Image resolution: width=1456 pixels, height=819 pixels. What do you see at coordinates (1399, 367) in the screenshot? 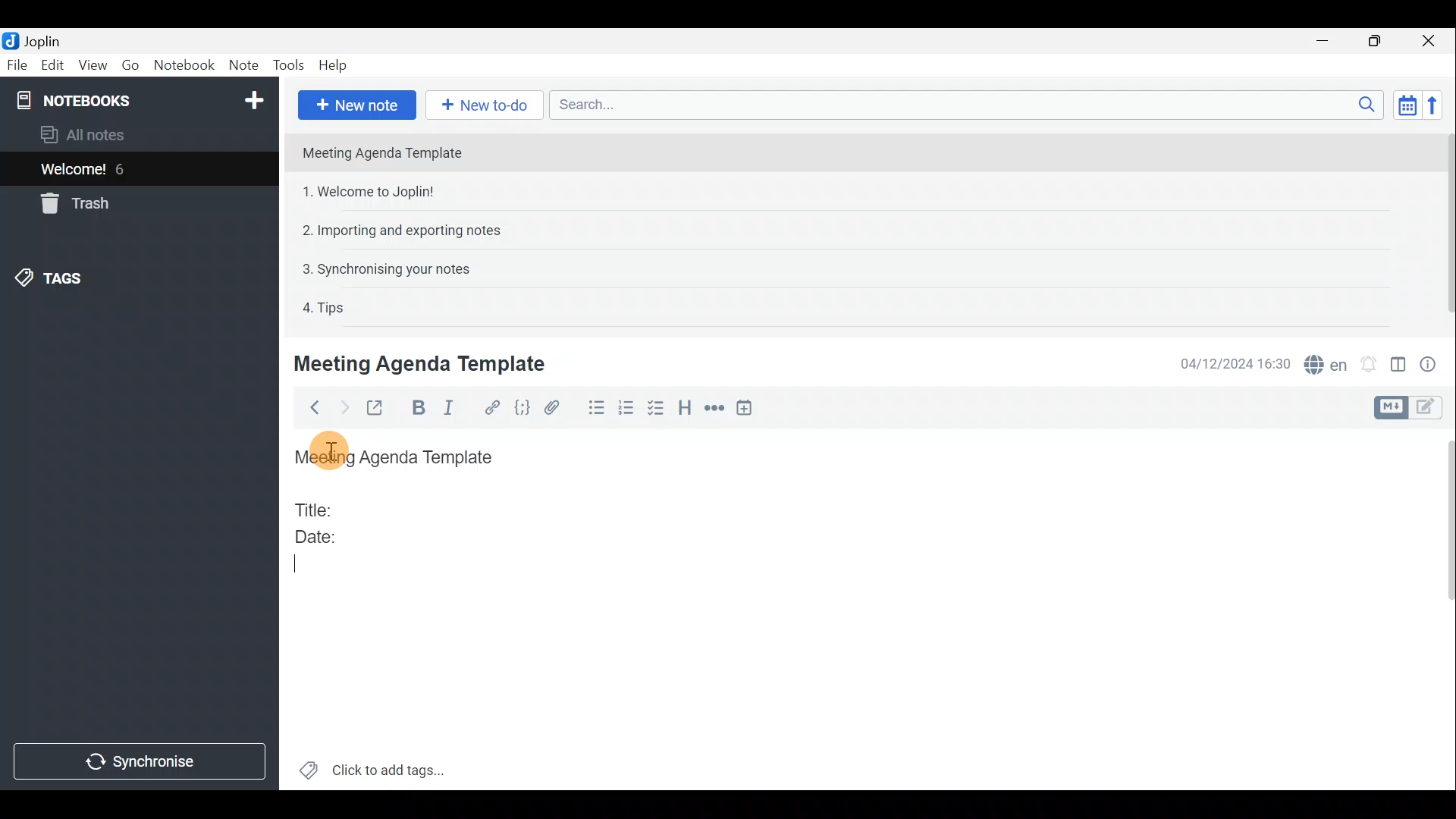
I see `Toggle editor layout` at bounding box center [1399, 367].